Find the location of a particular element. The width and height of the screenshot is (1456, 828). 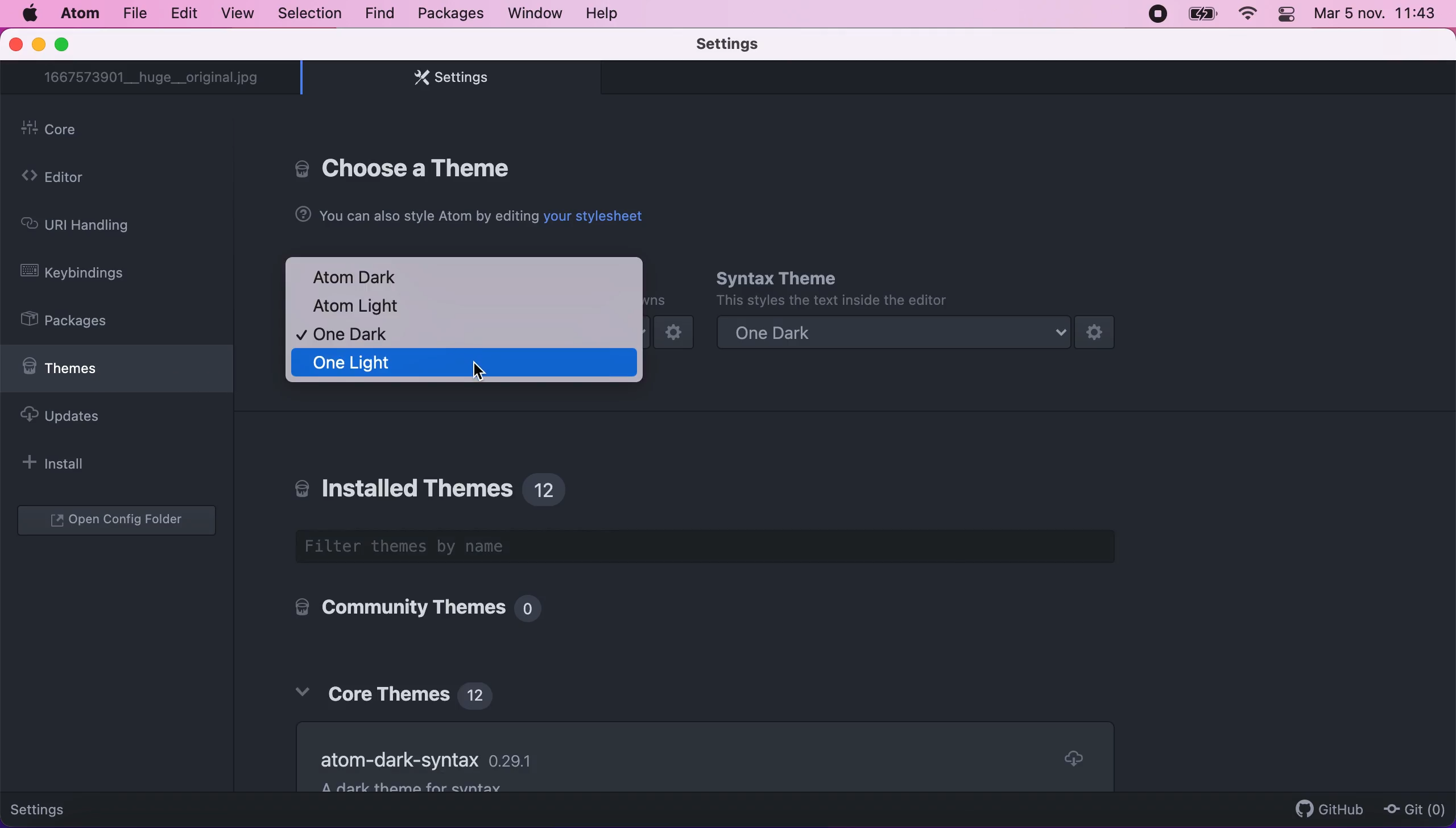

git(0) is located at coordinates (1413, 811).